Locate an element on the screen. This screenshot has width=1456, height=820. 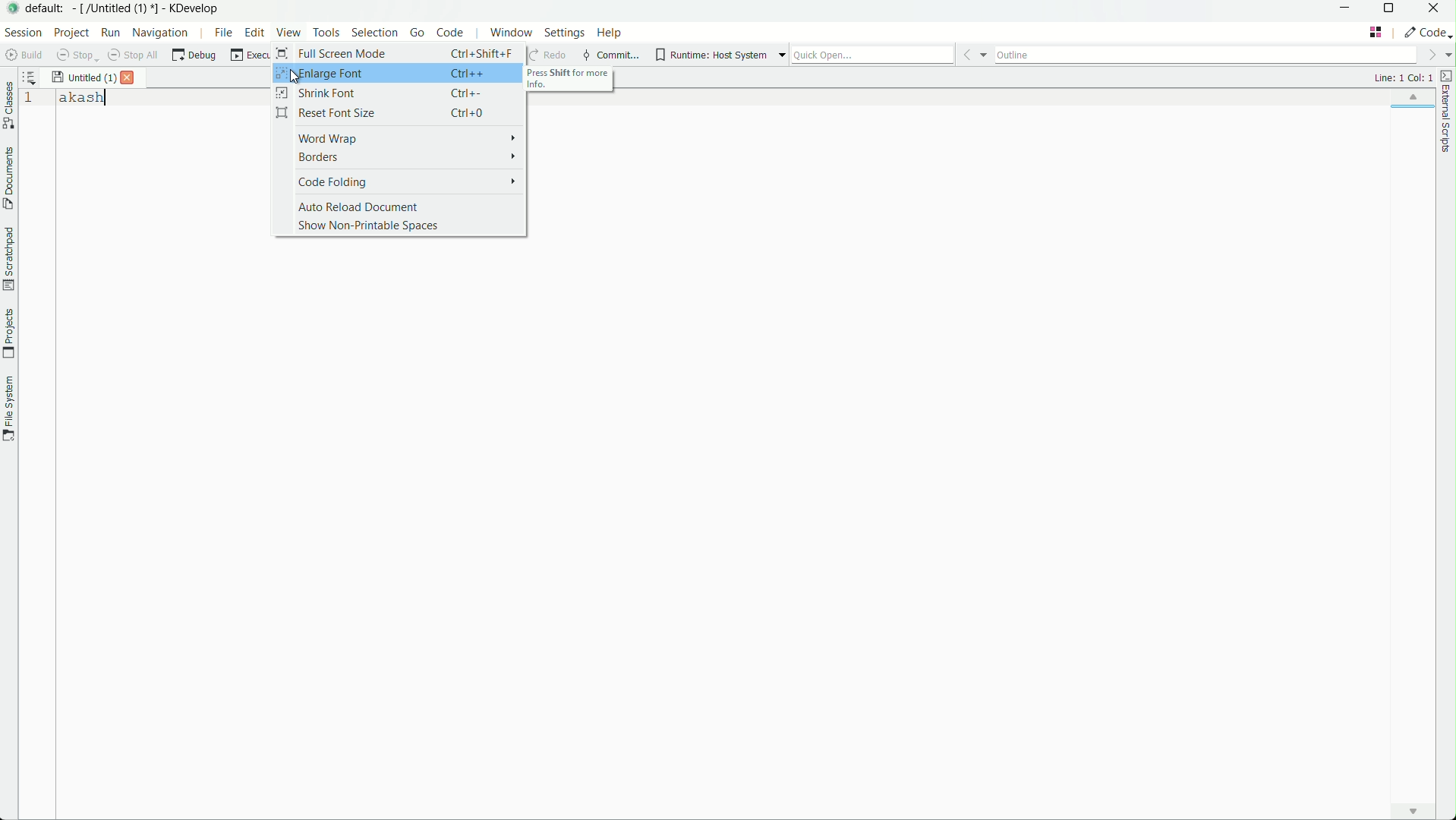
settings is located at coordinates (565, 32).